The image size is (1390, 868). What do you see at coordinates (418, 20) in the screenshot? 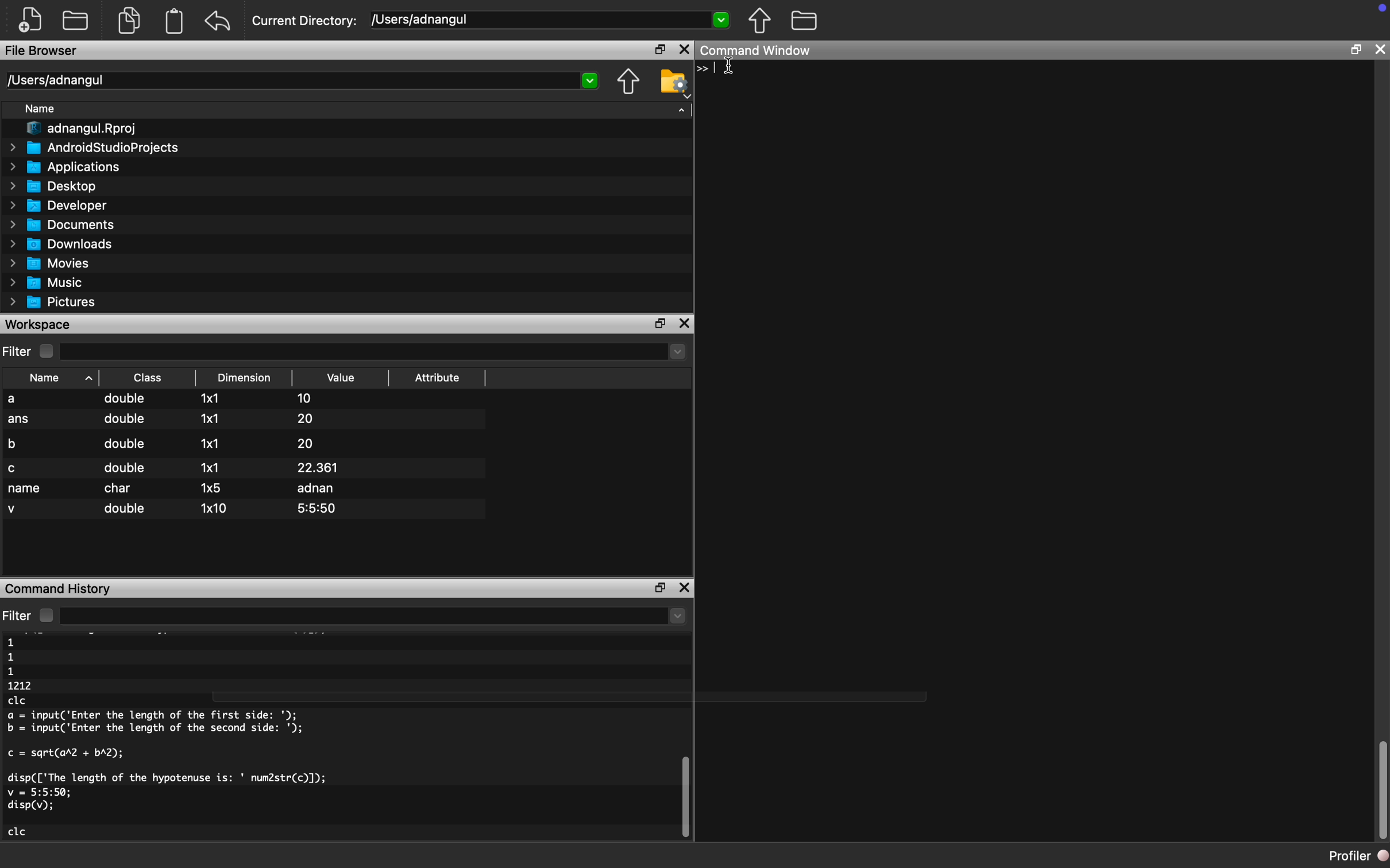
I see `/Users/adnangul` at bounding box center [418, 20].